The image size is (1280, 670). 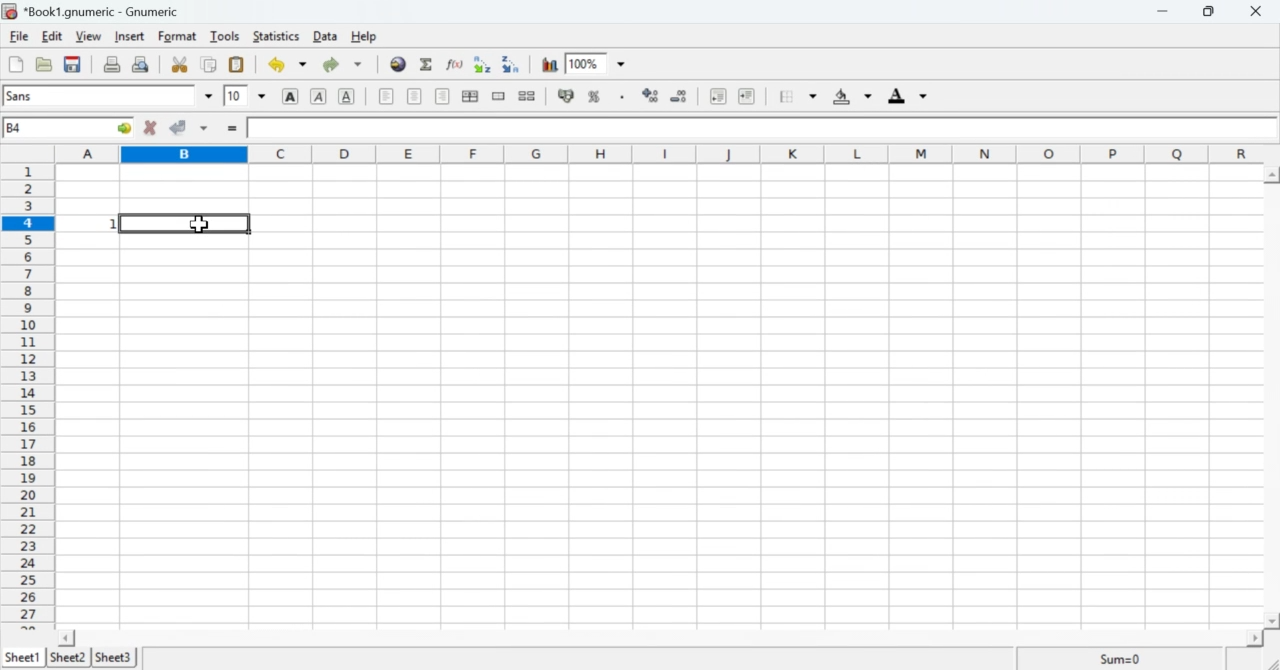 I want to click on Edit function, so click(x=457, y=64).